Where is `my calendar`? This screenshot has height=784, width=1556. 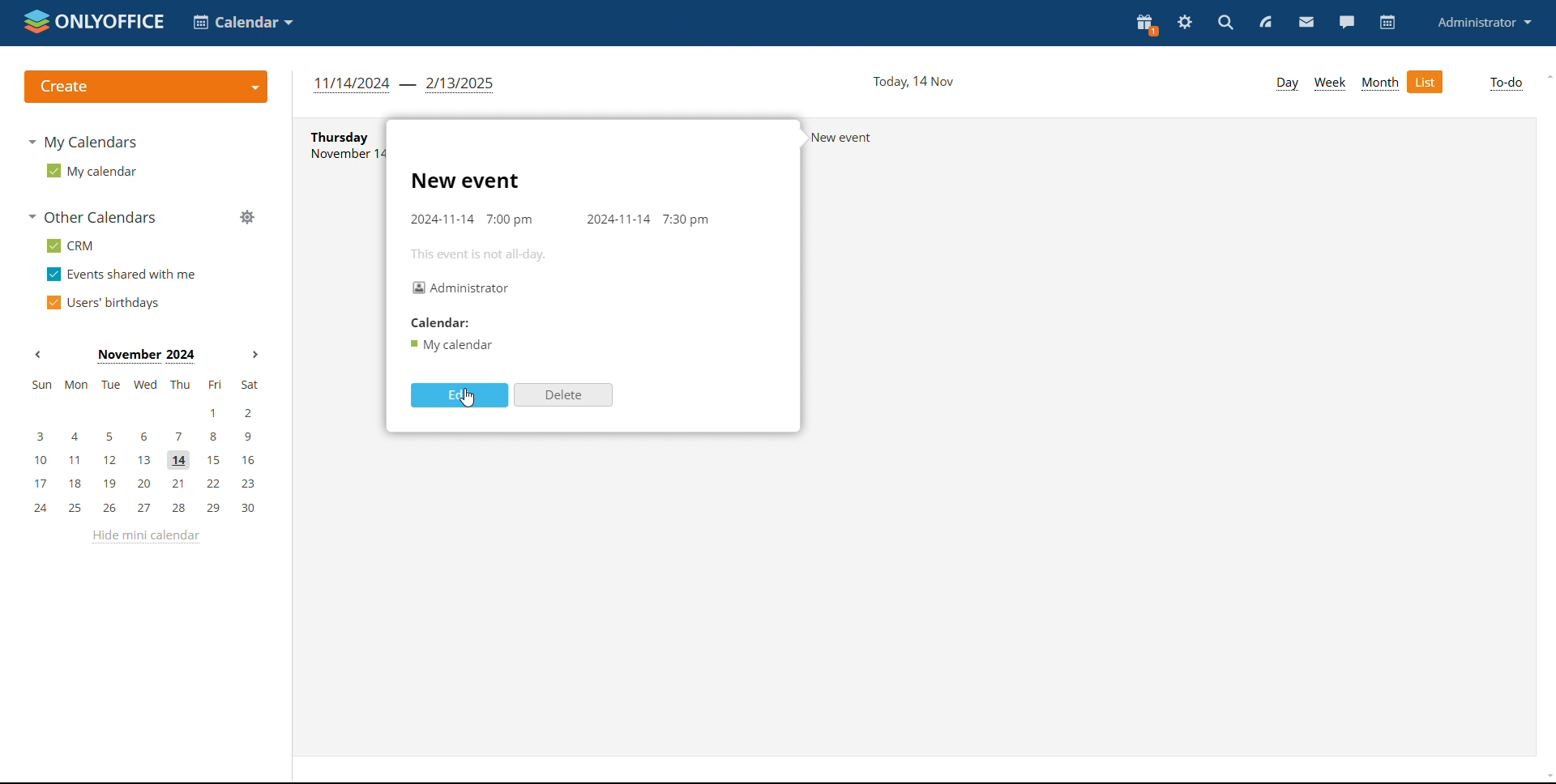 my calendar is located at coordinates (92, 170).